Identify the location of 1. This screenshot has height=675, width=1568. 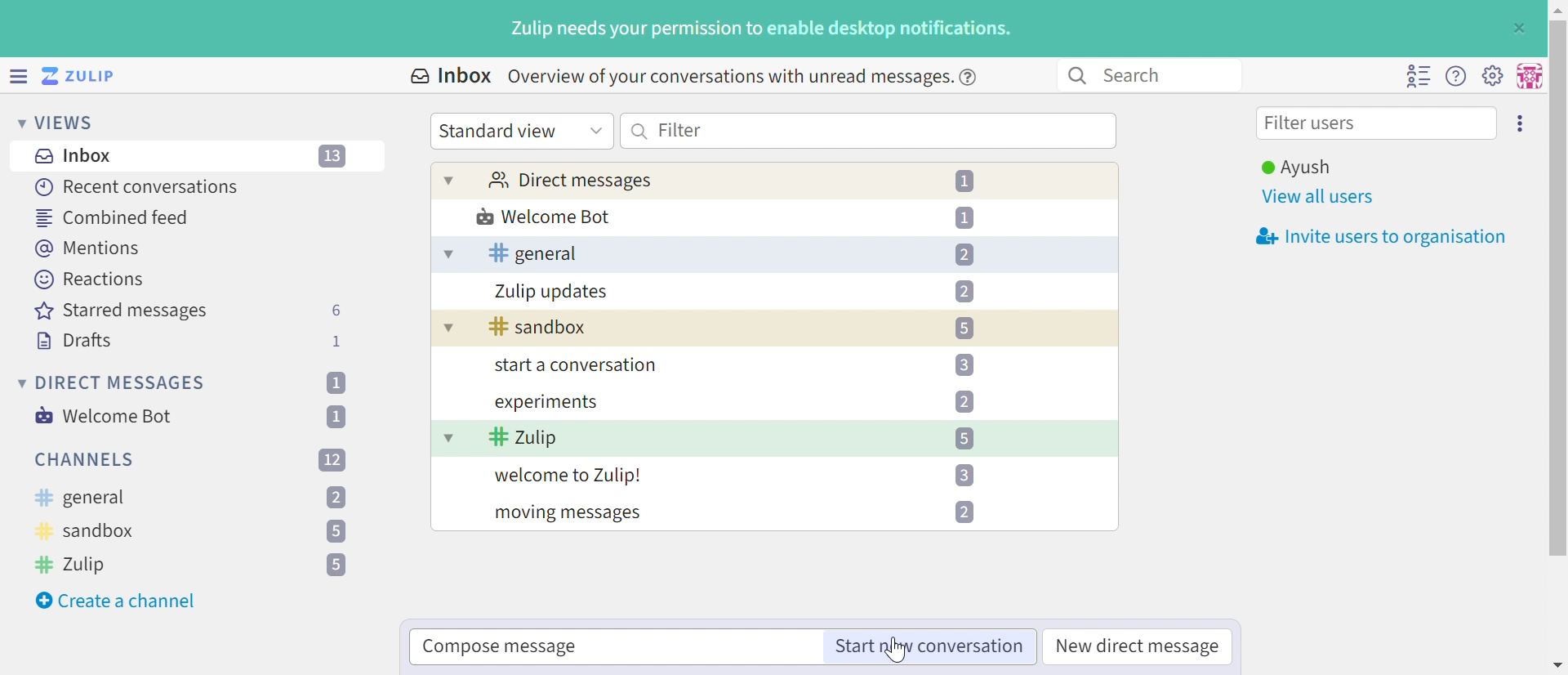
(339, 341).